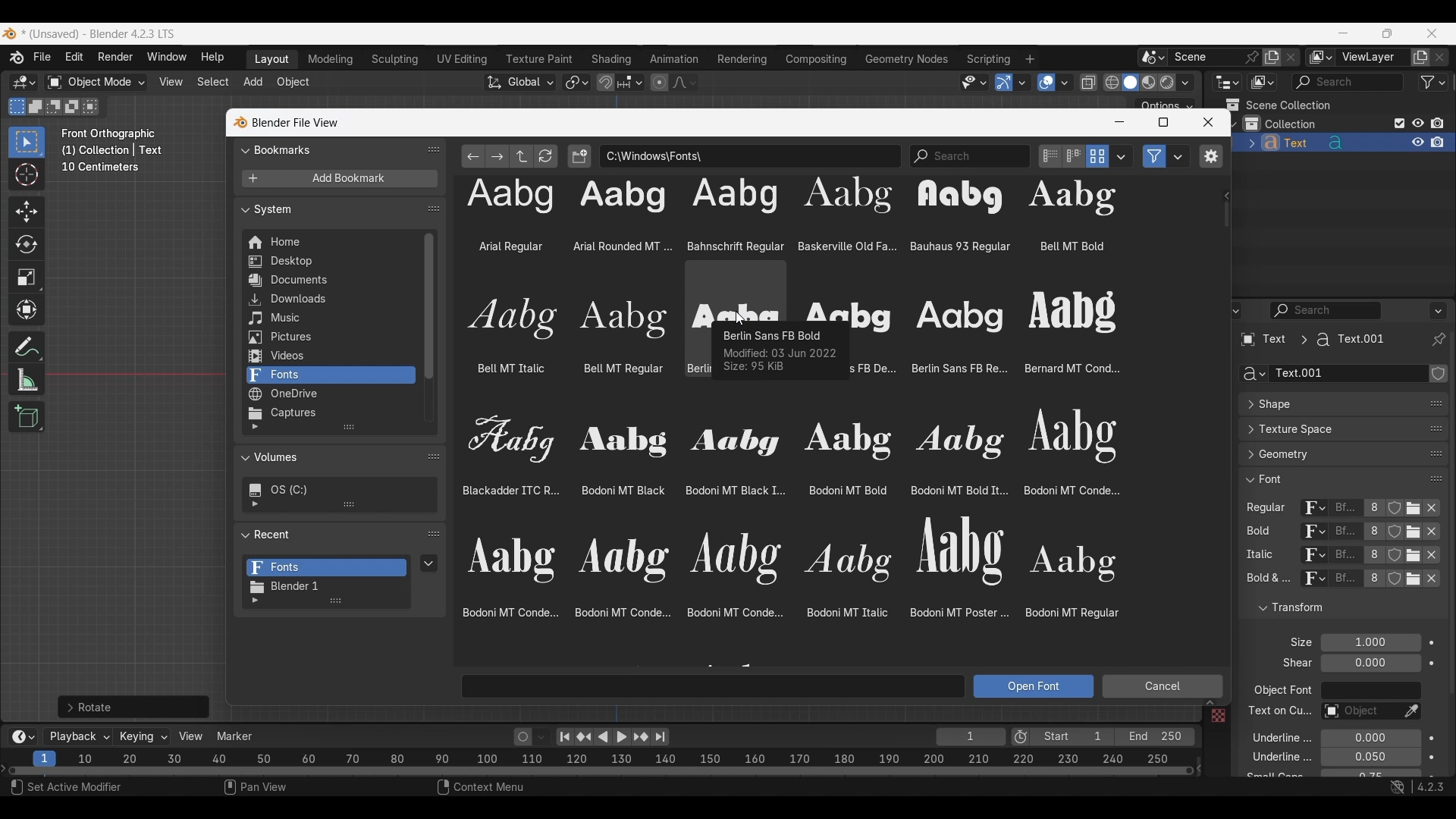  I want to click on Maximize, so click(1163, 122).